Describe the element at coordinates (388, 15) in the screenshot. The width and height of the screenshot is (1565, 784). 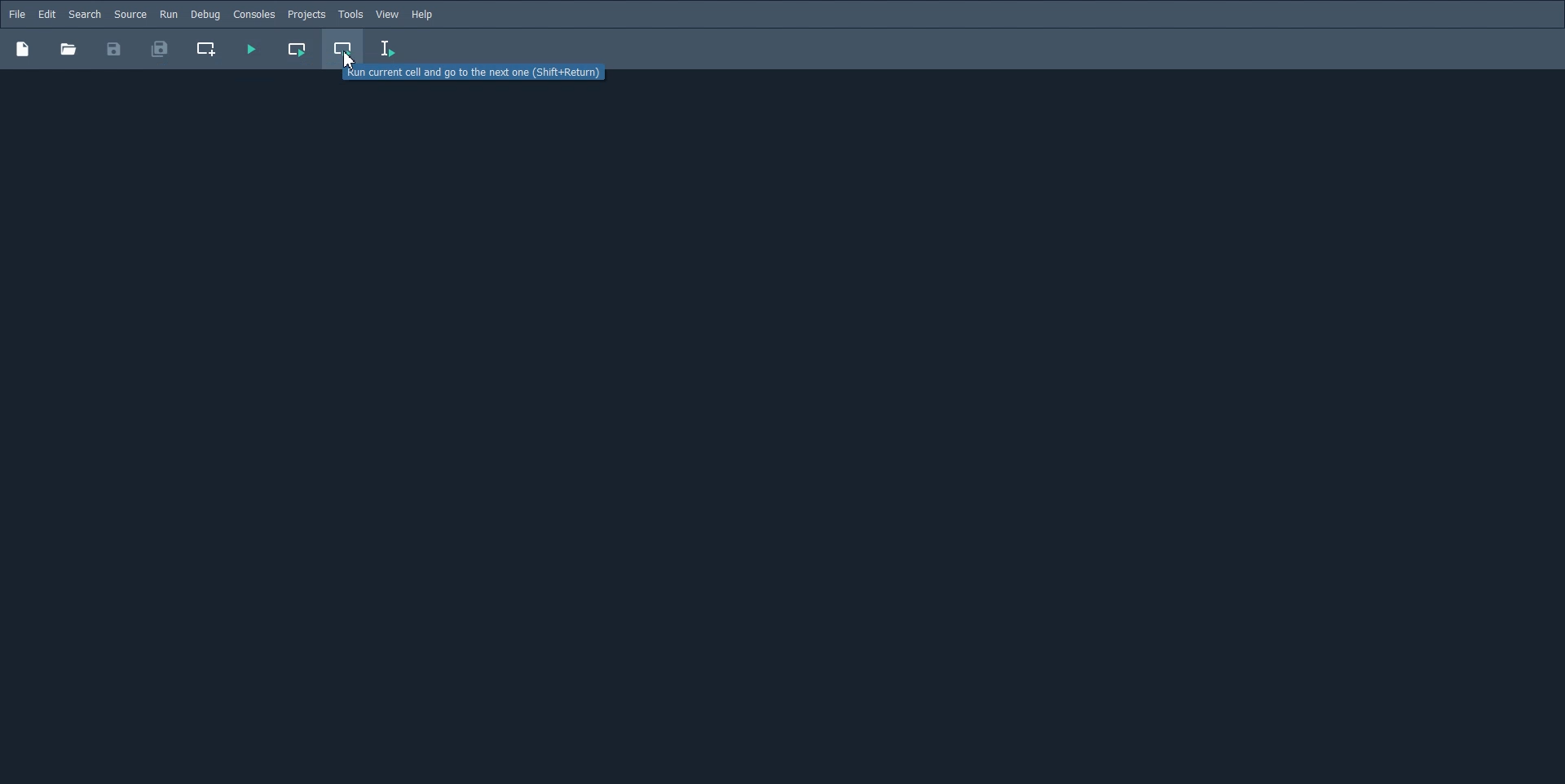
I see `view` at that location.